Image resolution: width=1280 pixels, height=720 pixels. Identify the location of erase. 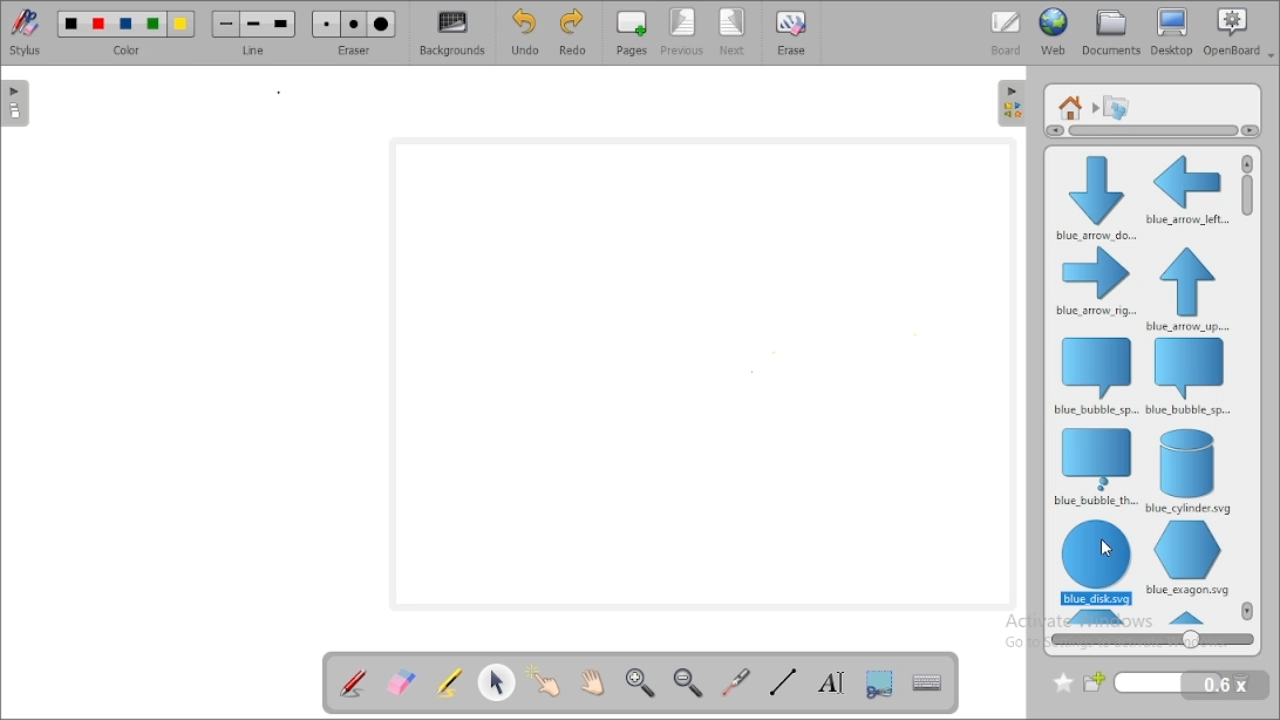
(792, 32).